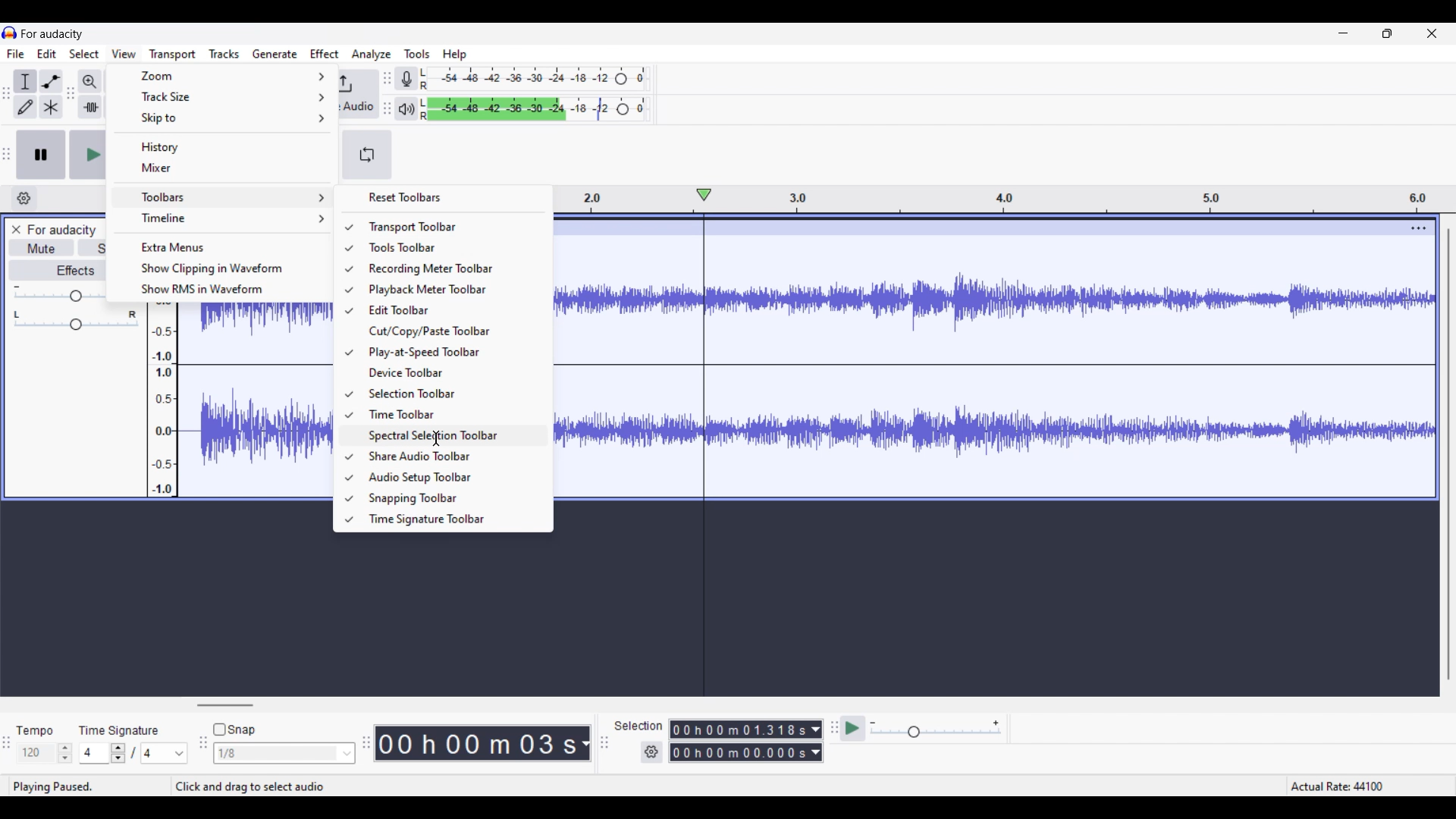 The width and height of the screenshot is (1456, 819). Describe the element at coordinates (42, 249) in the screenshot. I see `Mute` at that location.